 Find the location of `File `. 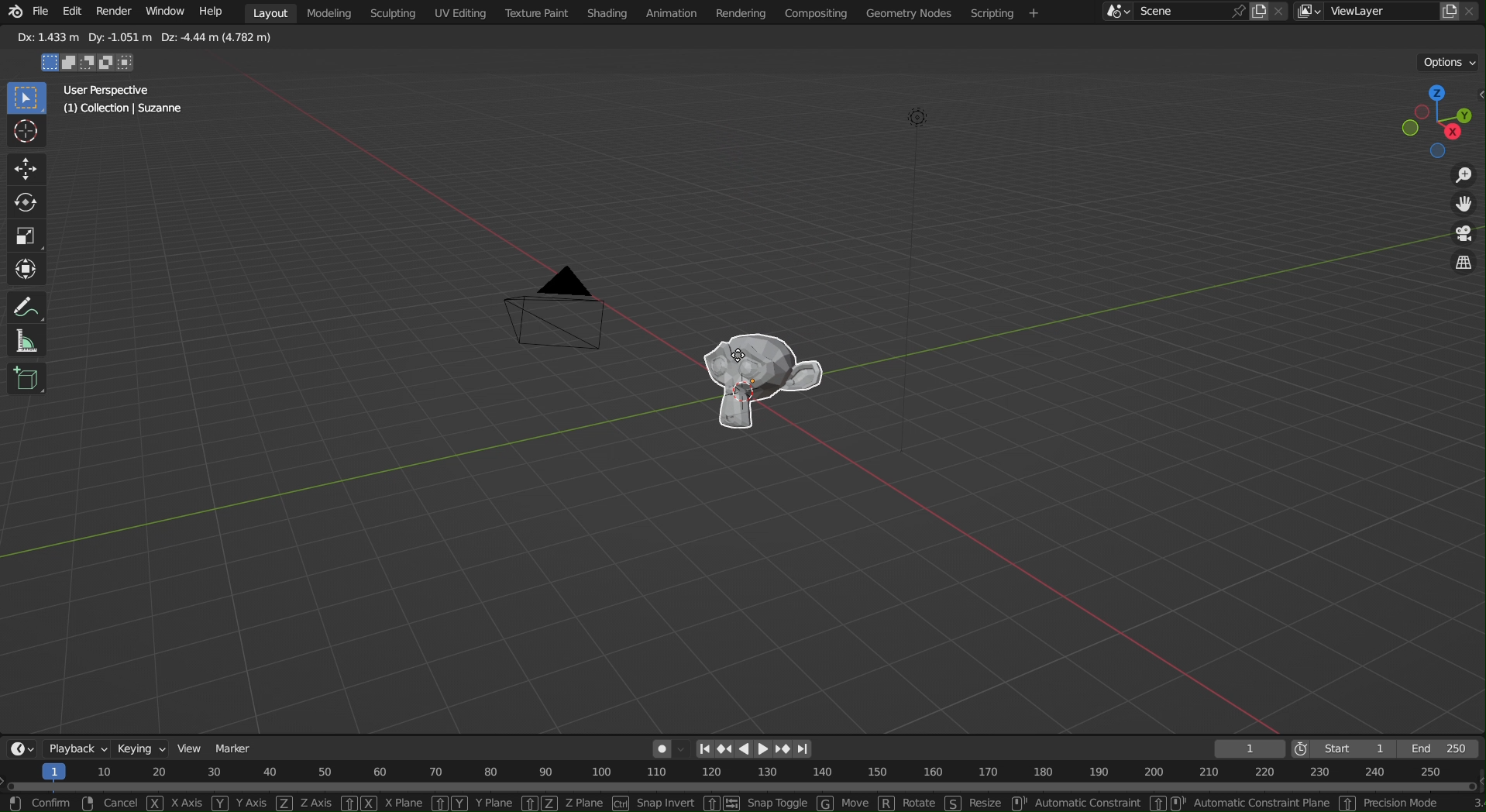

File  is located at coordinates (43, 15).